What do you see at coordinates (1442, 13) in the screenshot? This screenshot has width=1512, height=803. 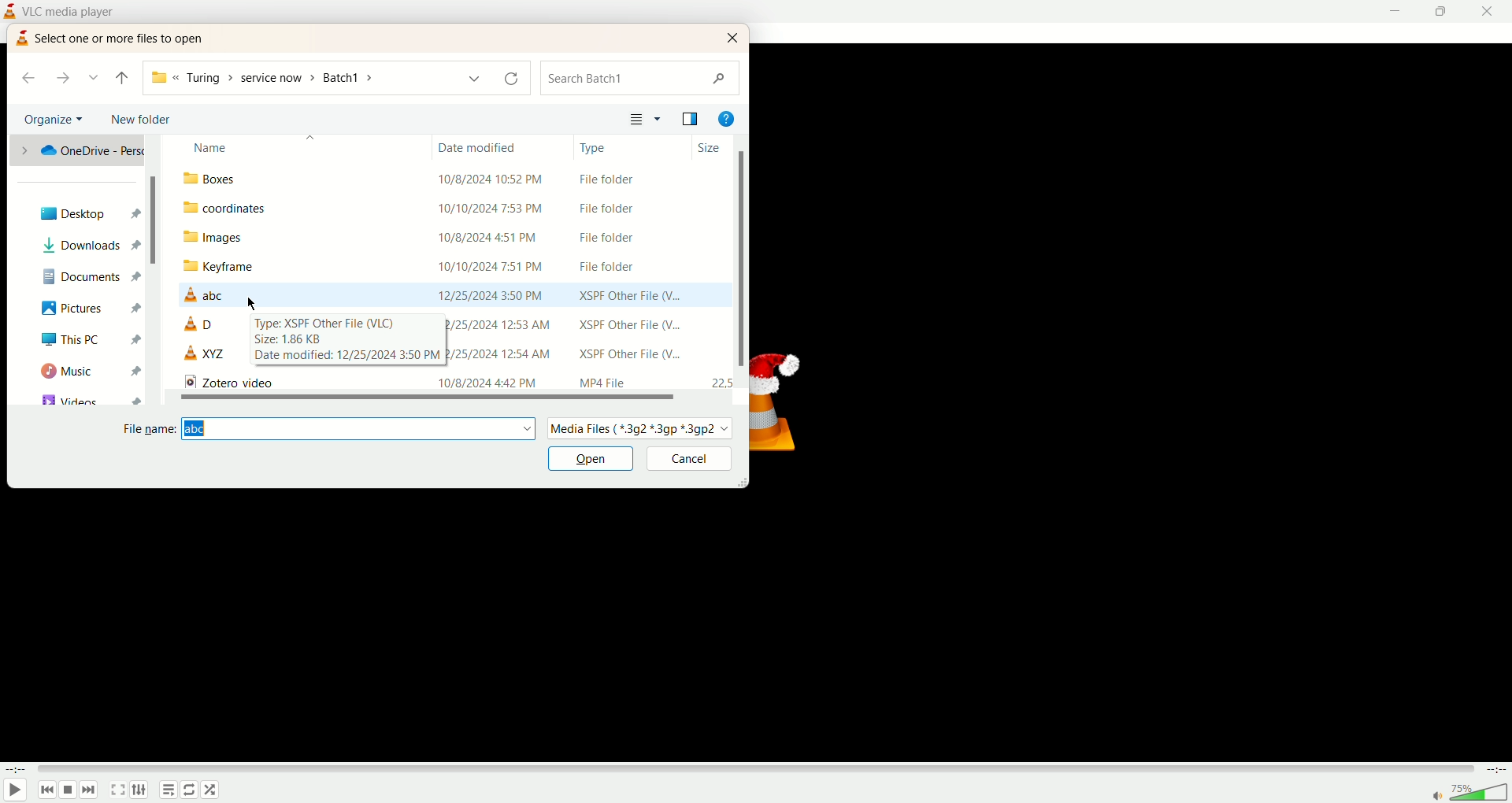 I see `maximize` at bounding box center [1442, 13].